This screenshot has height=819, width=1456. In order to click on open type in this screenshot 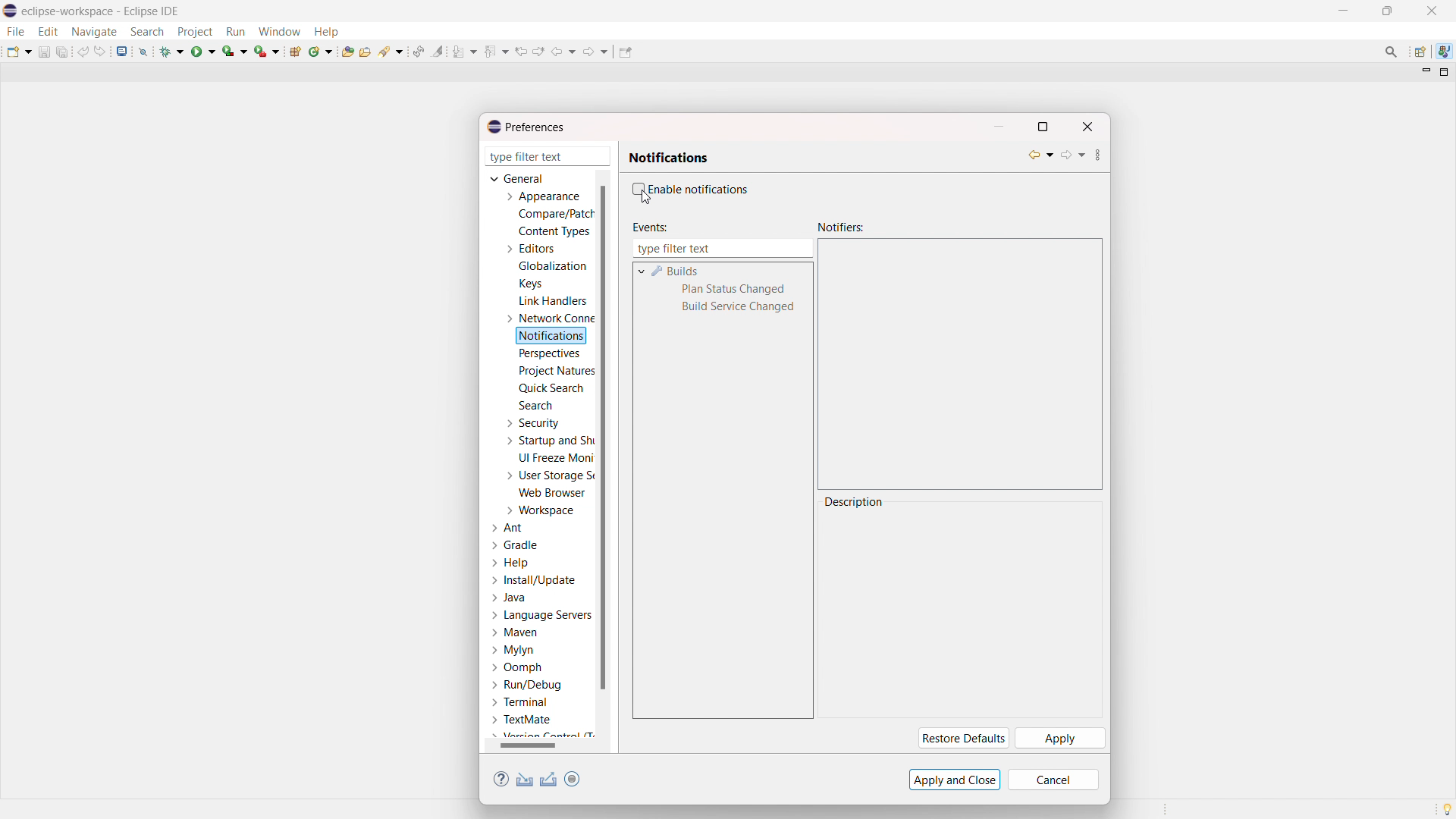, I will do `click(347, 50)`.